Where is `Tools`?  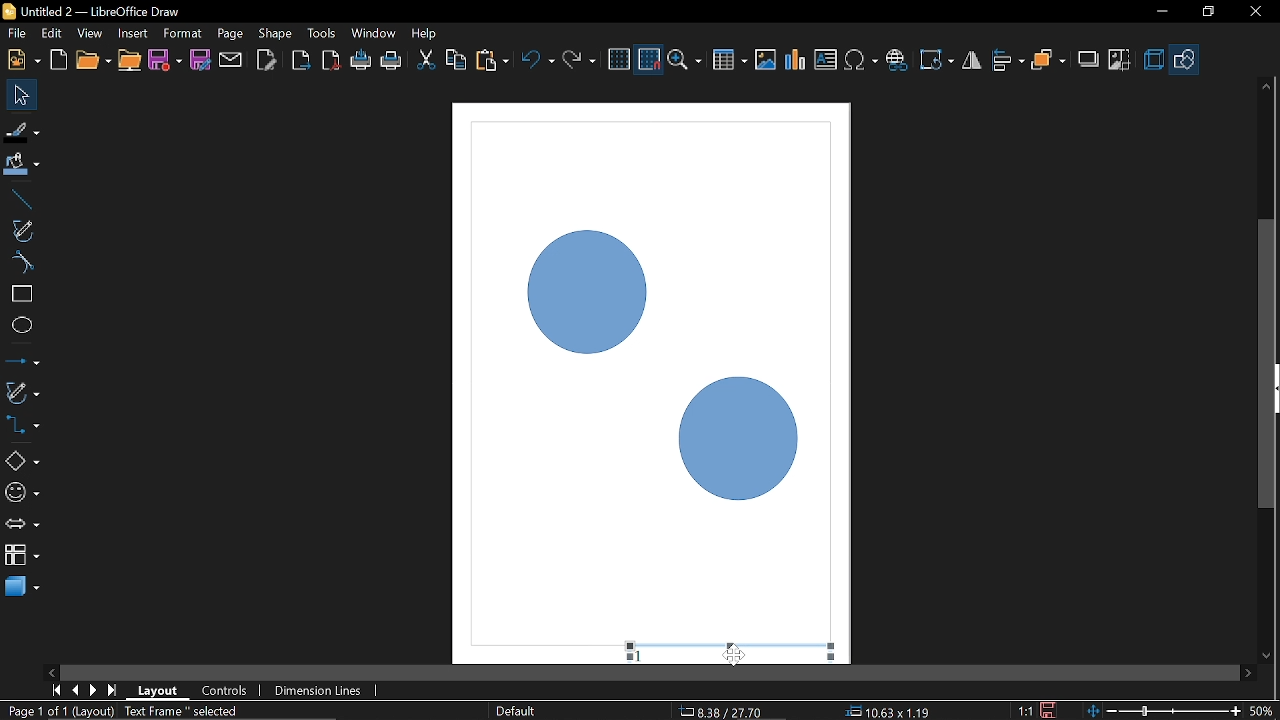
Tools is located at coordinates (322, 32).